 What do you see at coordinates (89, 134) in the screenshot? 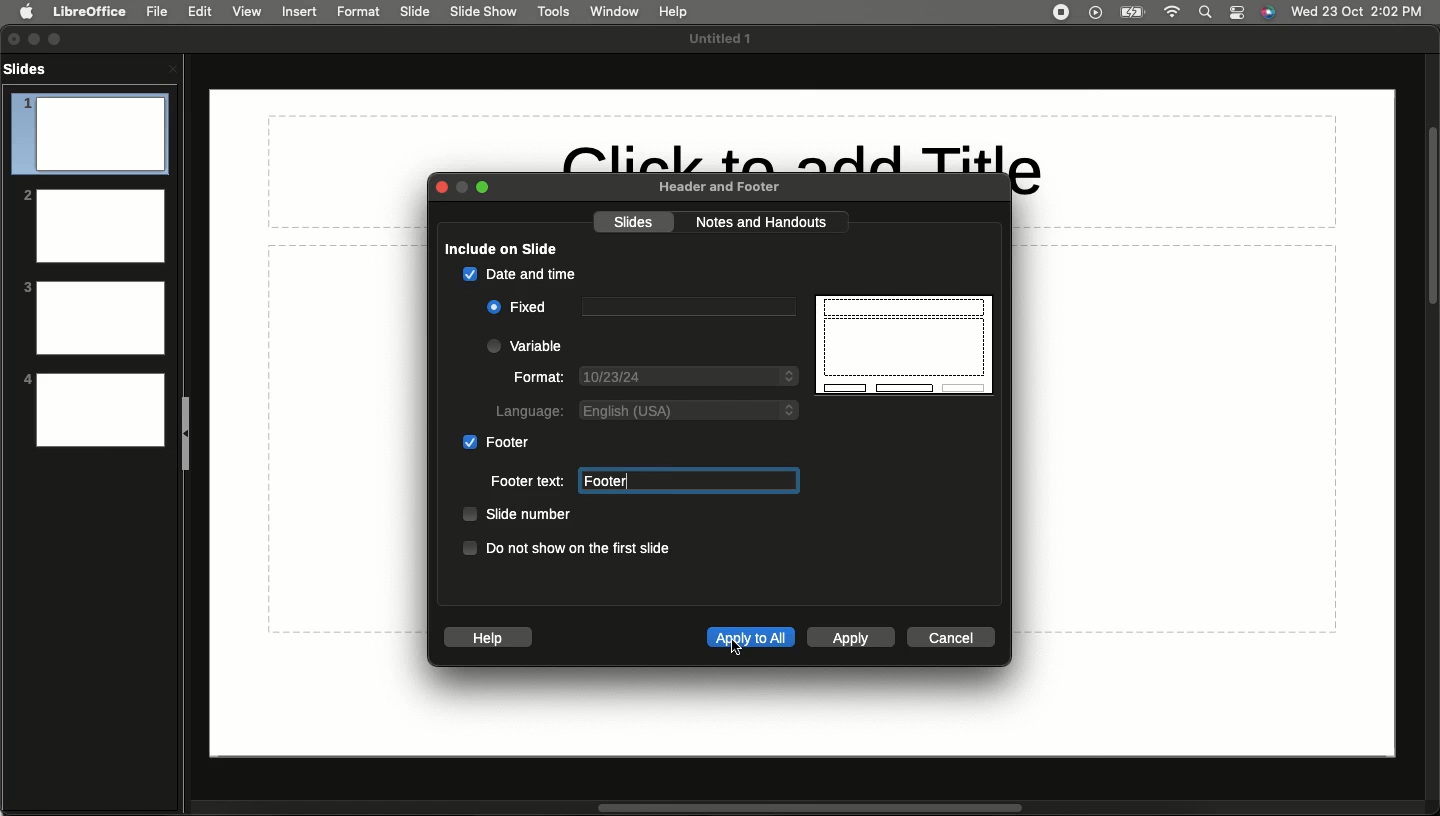
I see `1` at bounding box center [89, 134].